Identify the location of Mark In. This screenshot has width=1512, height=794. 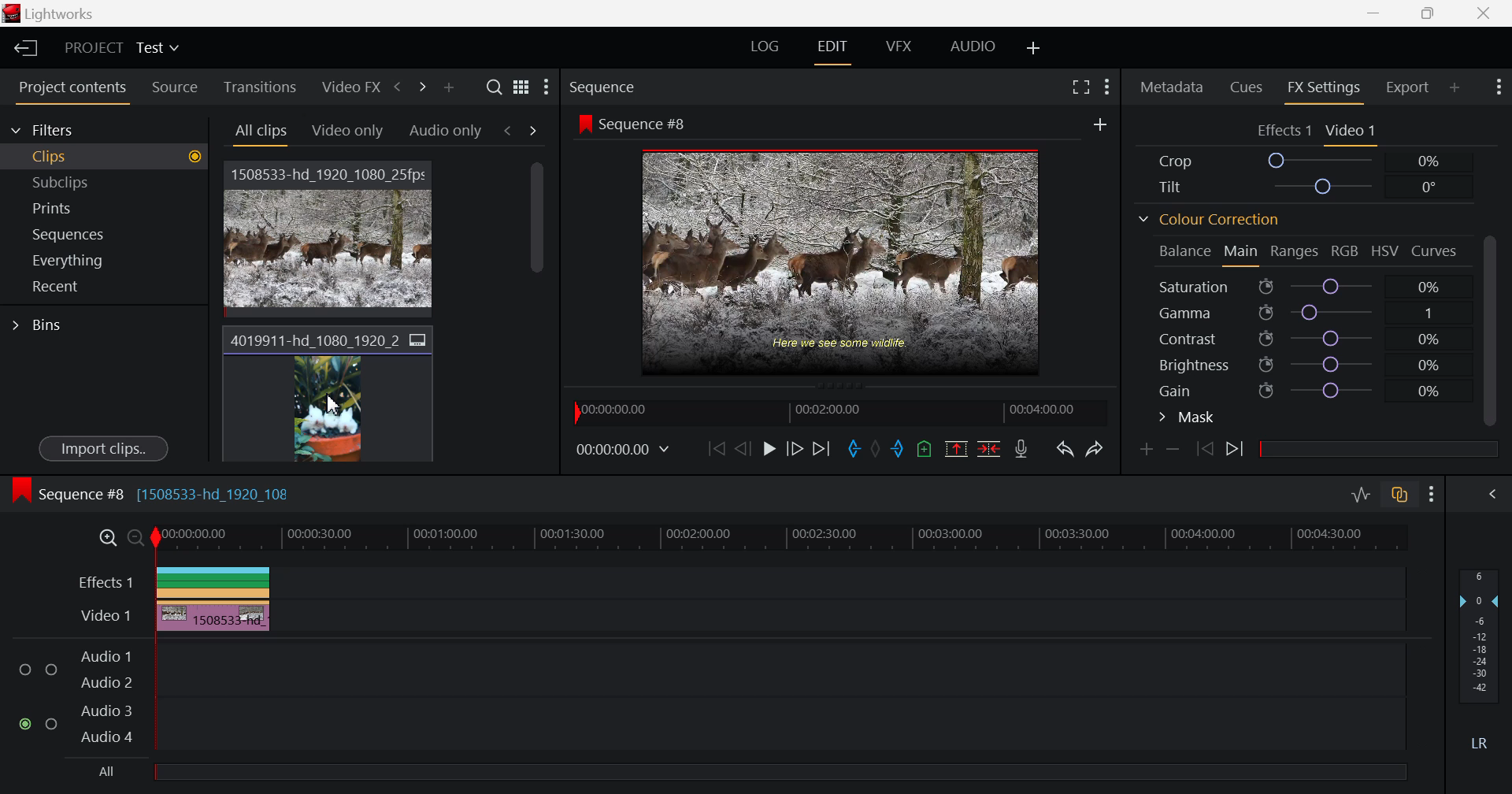
(850, 445).